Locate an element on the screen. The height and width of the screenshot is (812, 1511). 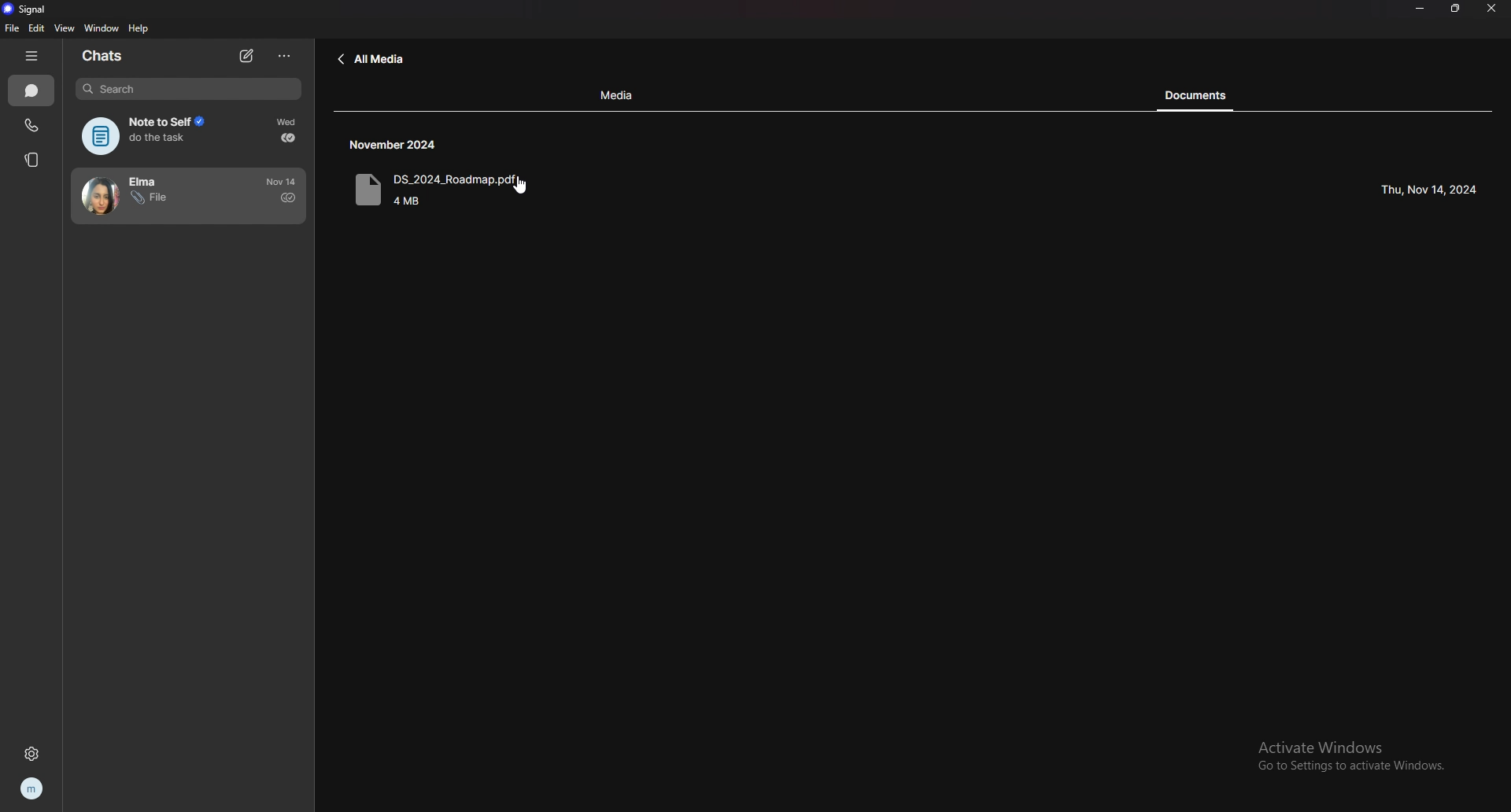
delivered is located at coordinates (288, 138).